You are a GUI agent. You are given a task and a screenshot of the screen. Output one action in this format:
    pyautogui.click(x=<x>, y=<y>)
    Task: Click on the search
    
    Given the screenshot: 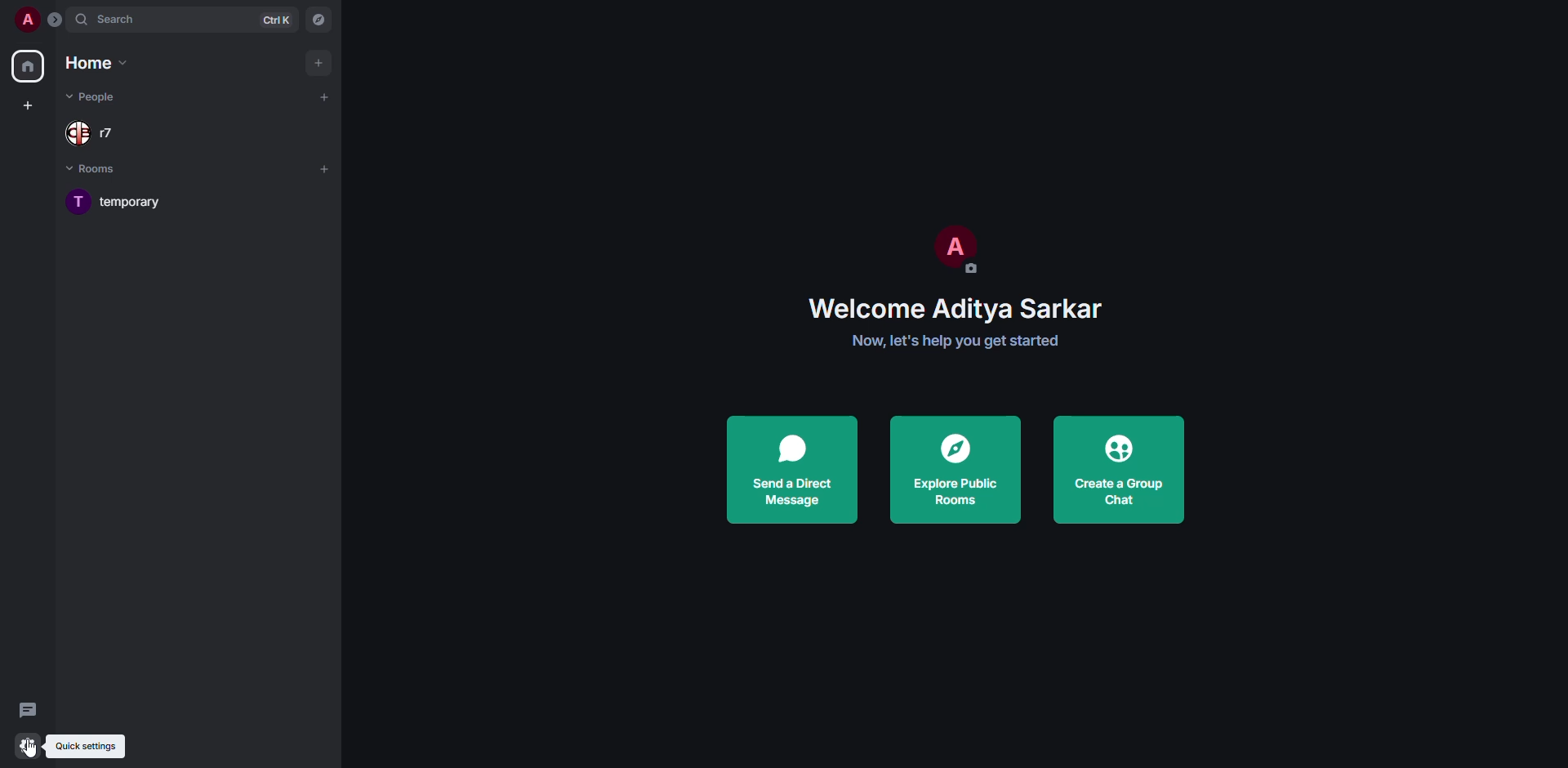 What is the action you would take?
    pyautogui.click(x=106, y=19)
    